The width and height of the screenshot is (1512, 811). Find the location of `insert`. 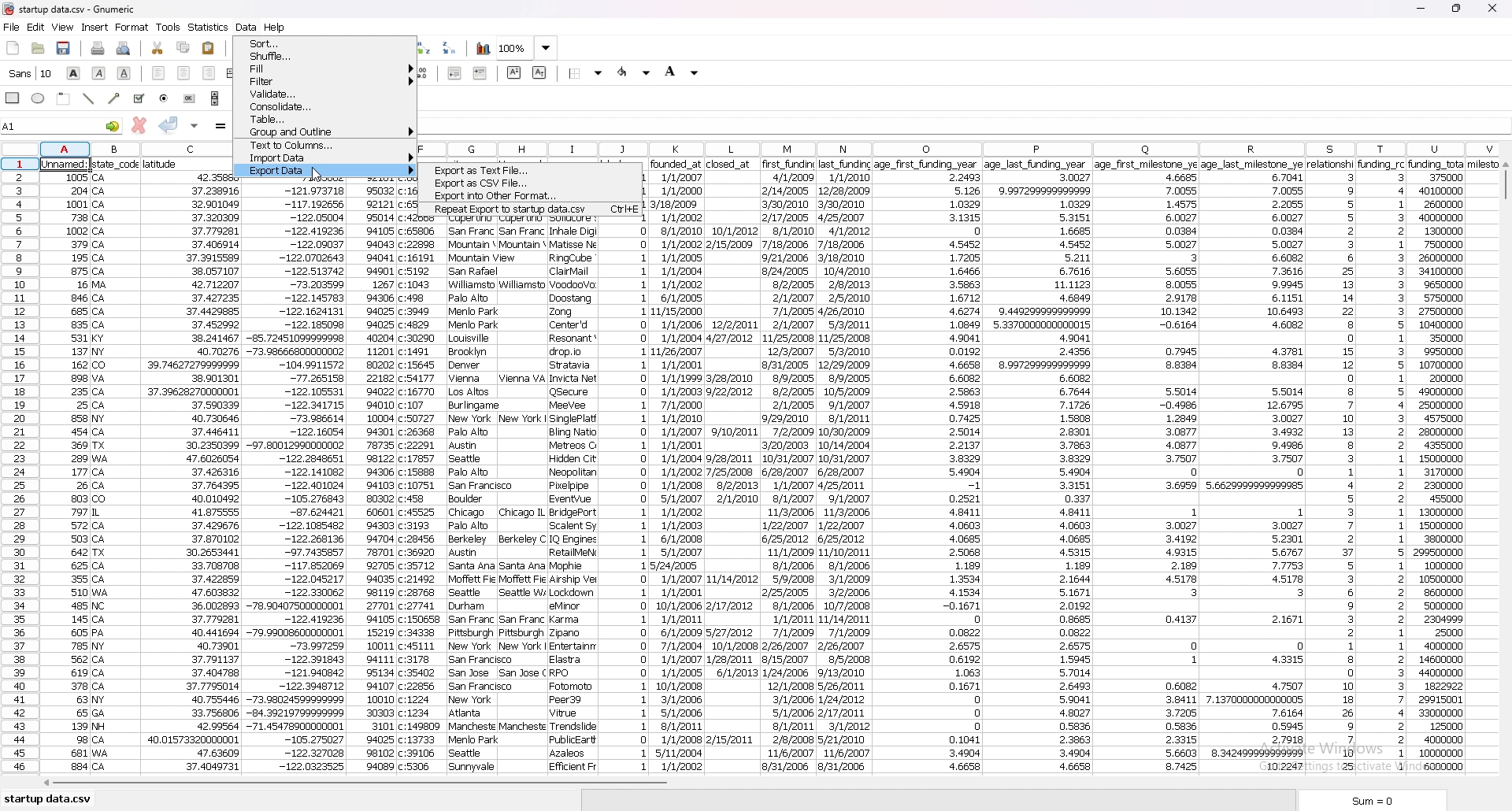

insert is located at coordinates (94, 28).